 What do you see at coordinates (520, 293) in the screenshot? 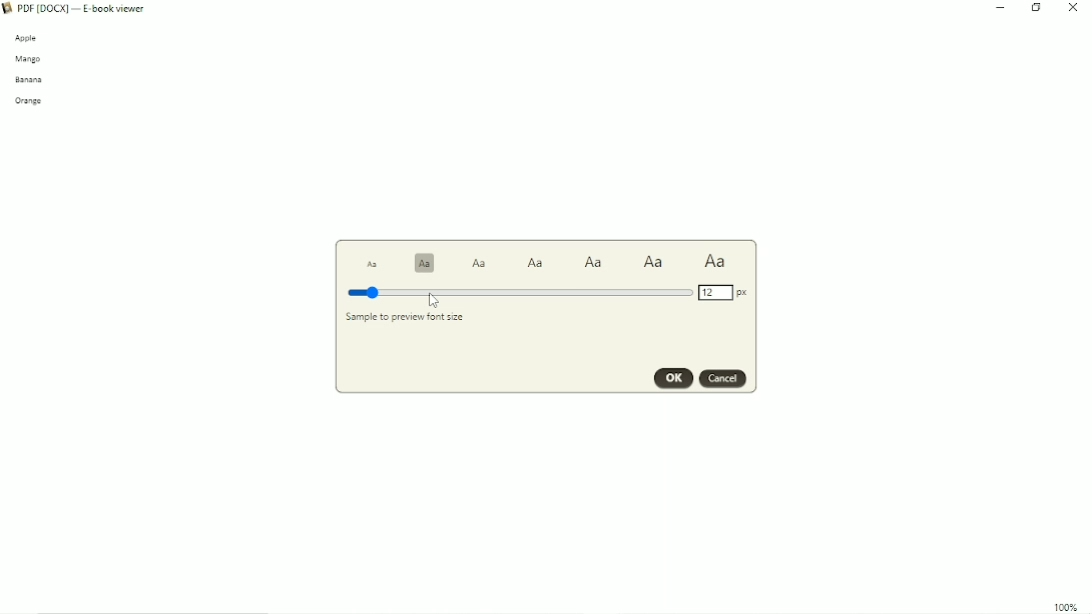
I see `Font size 12` at bounding box center [520, 293].